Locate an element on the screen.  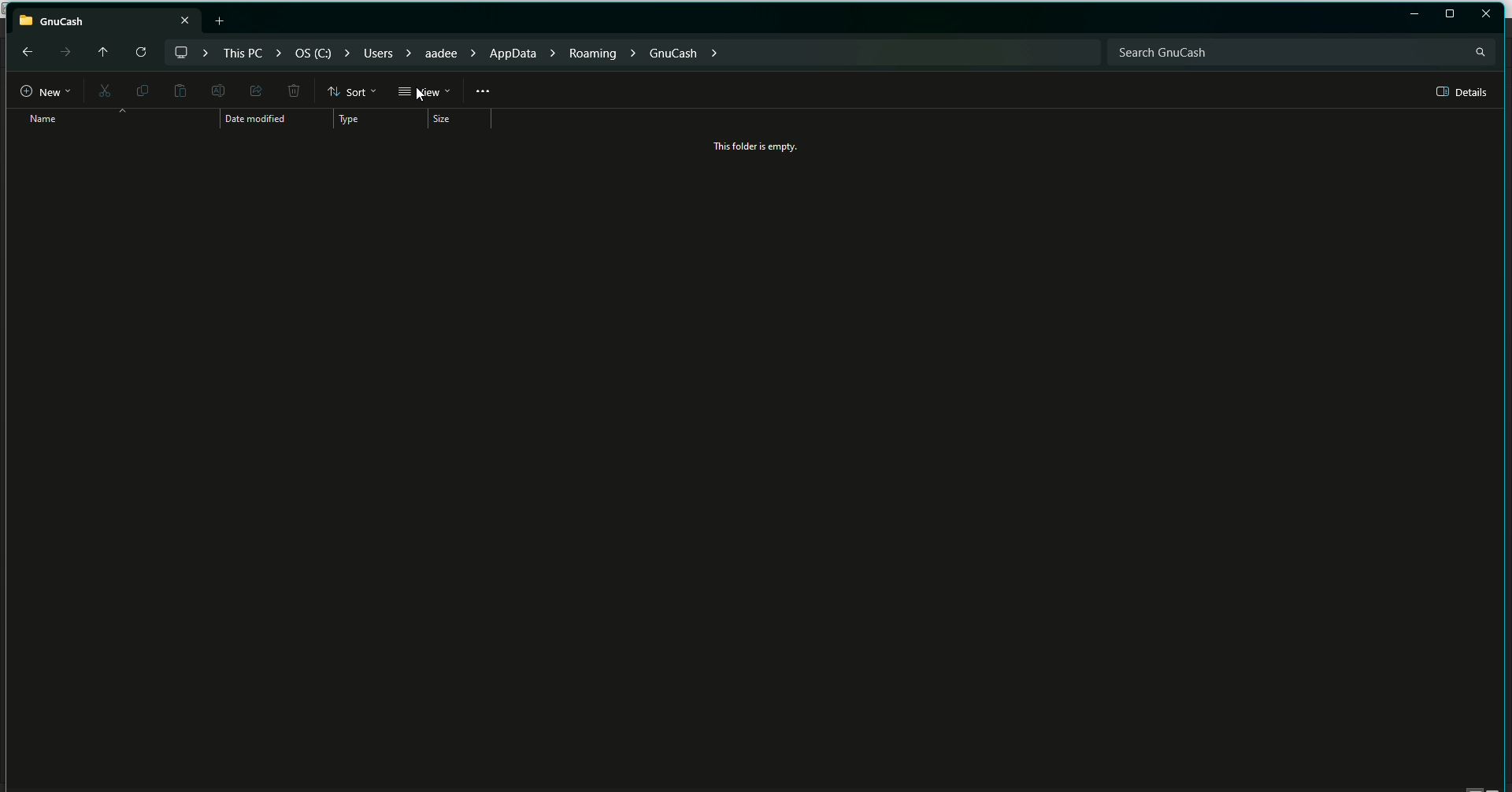
File path is located at coordinates (448, 51).